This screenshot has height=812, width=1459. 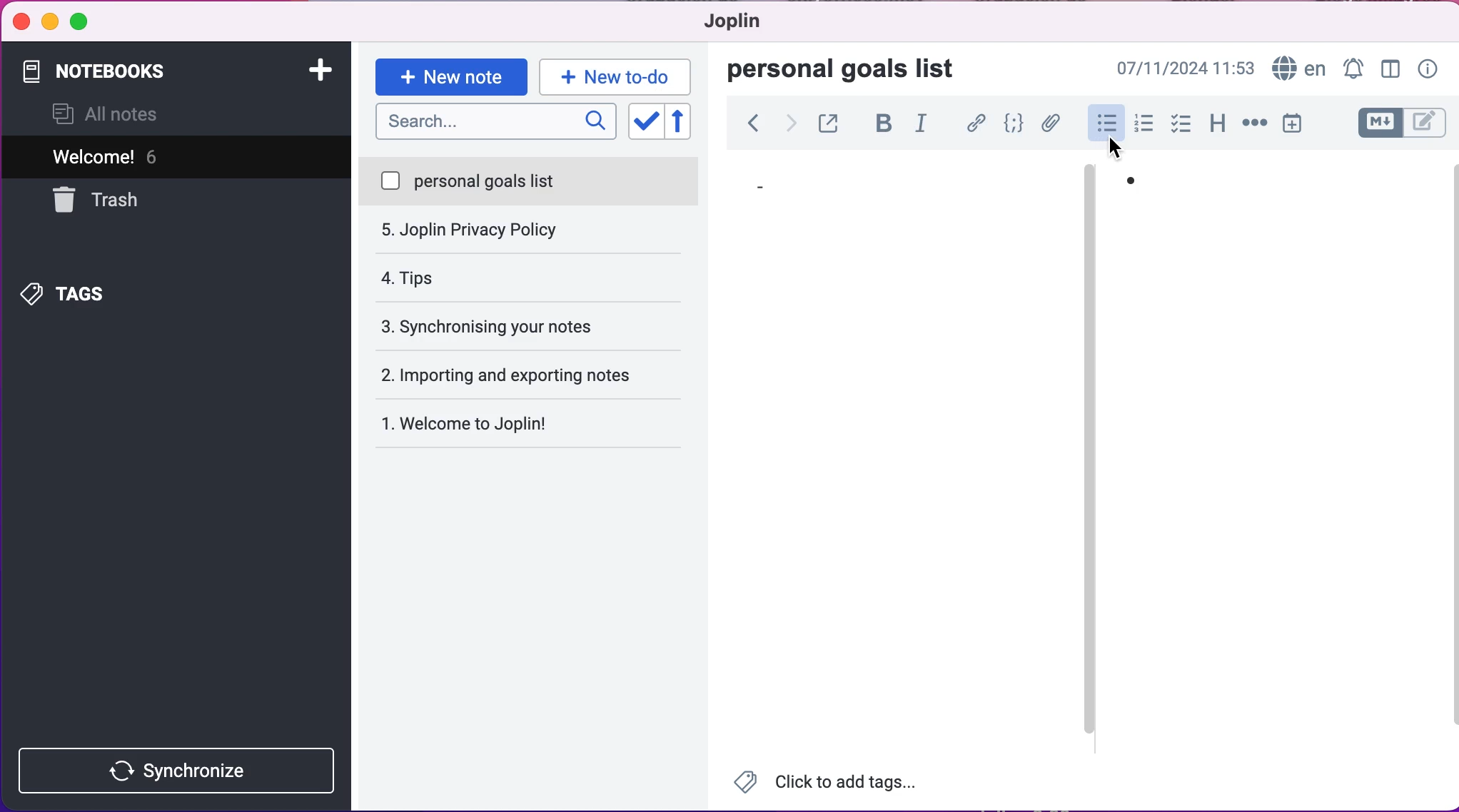 I want to click on heading, so click(x=1217, y=127).